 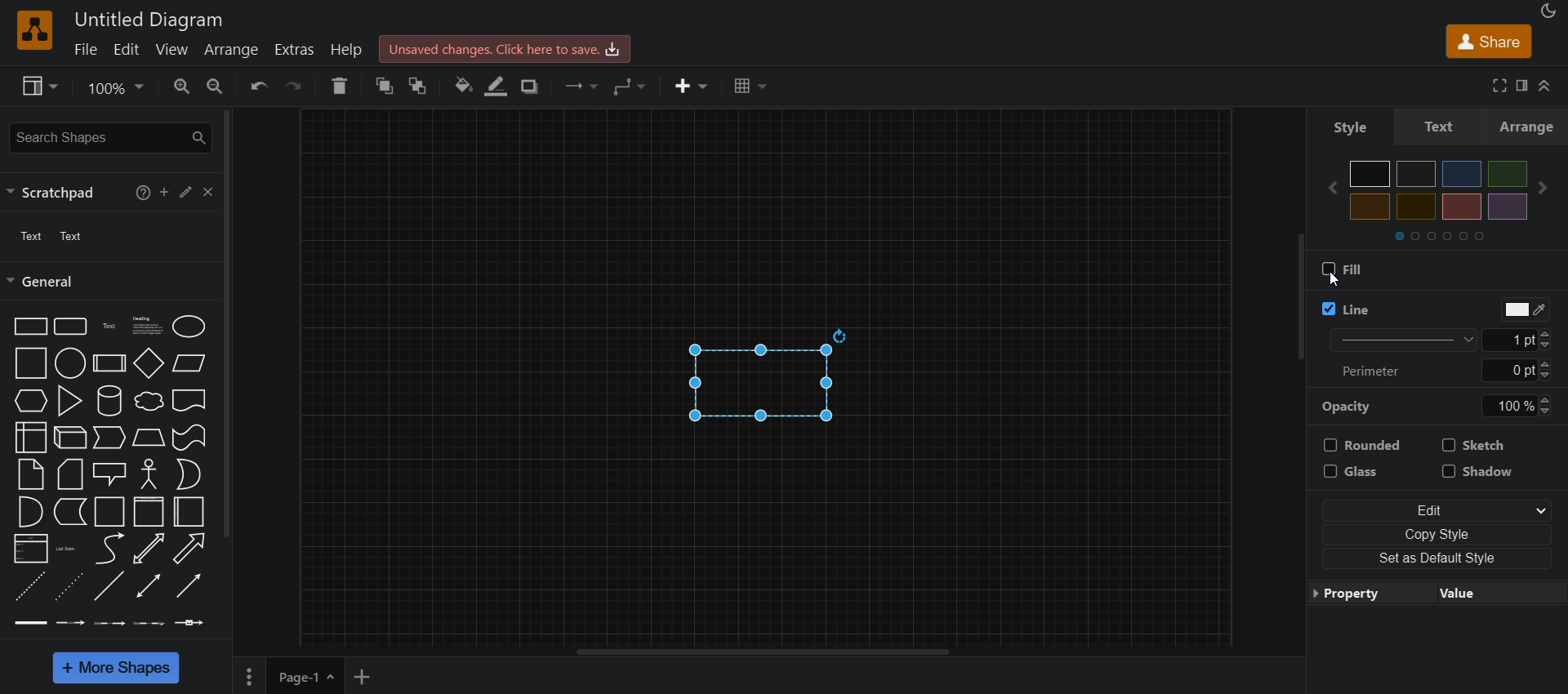 I want to click on line color, so click(x=496, y=87).